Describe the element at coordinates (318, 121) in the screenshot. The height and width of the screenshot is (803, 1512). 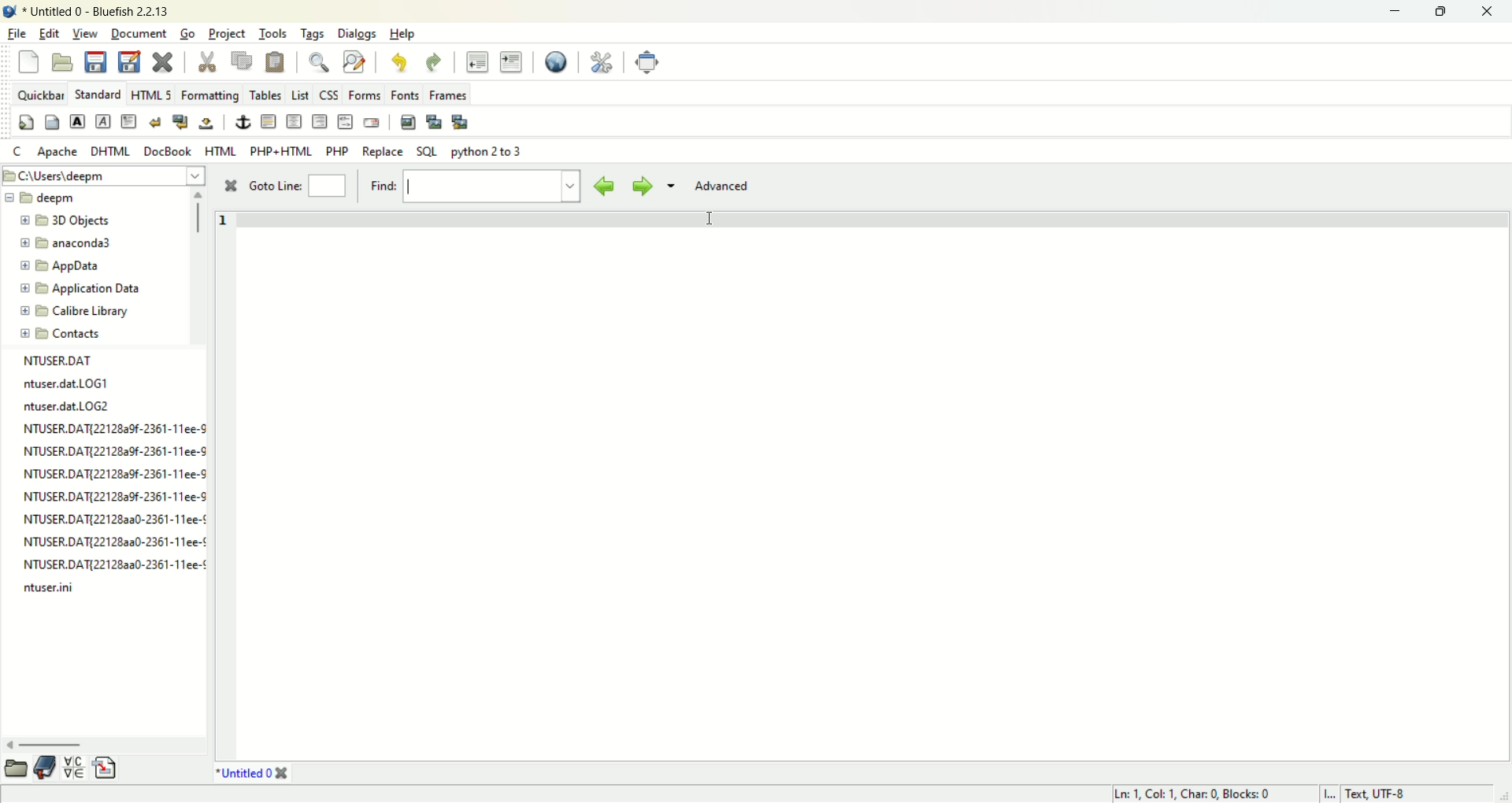
I see `right justify` at that location.